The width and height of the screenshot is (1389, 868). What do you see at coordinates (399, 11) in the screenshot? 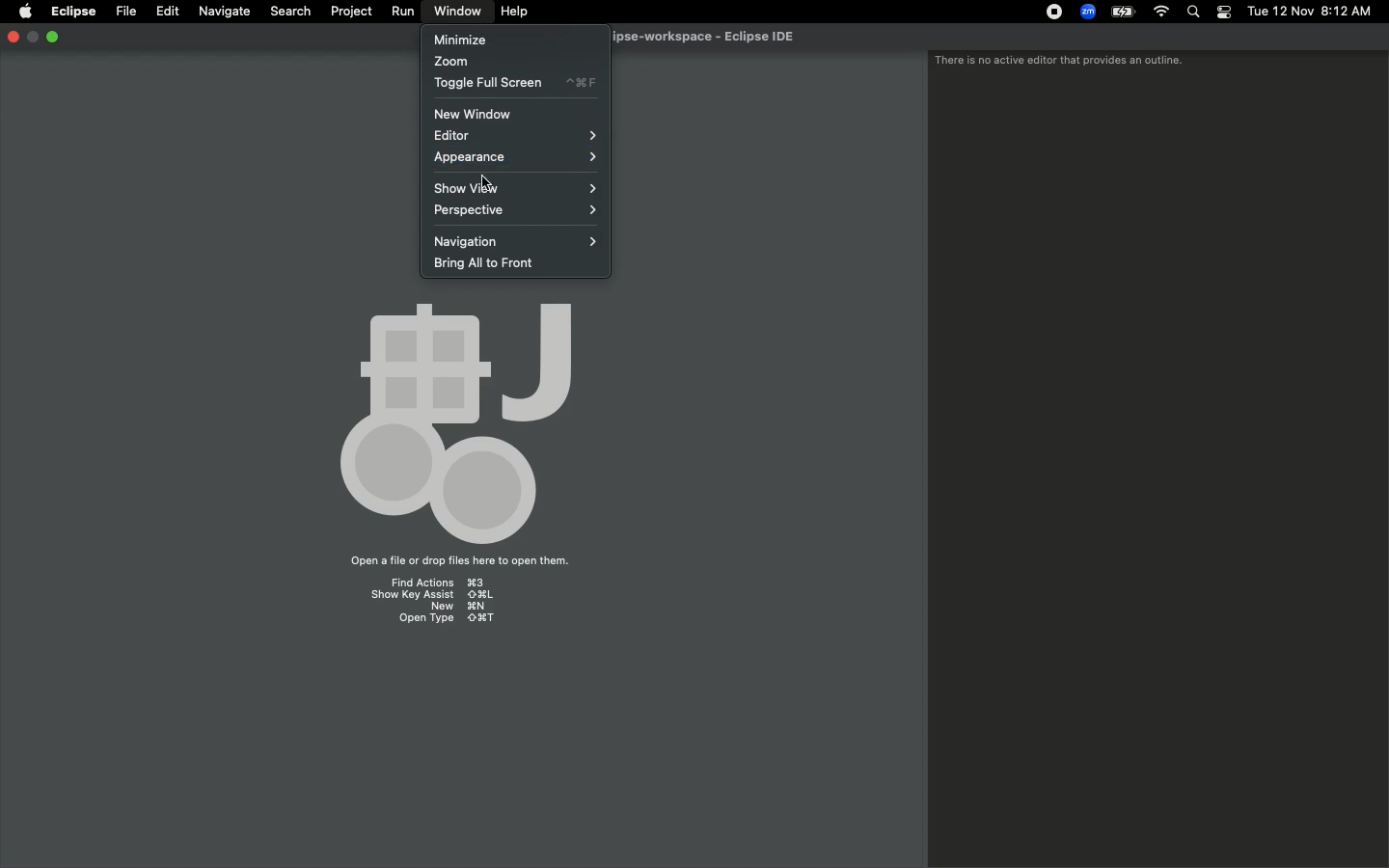
I see `Run` at bounding box center [399, 11].